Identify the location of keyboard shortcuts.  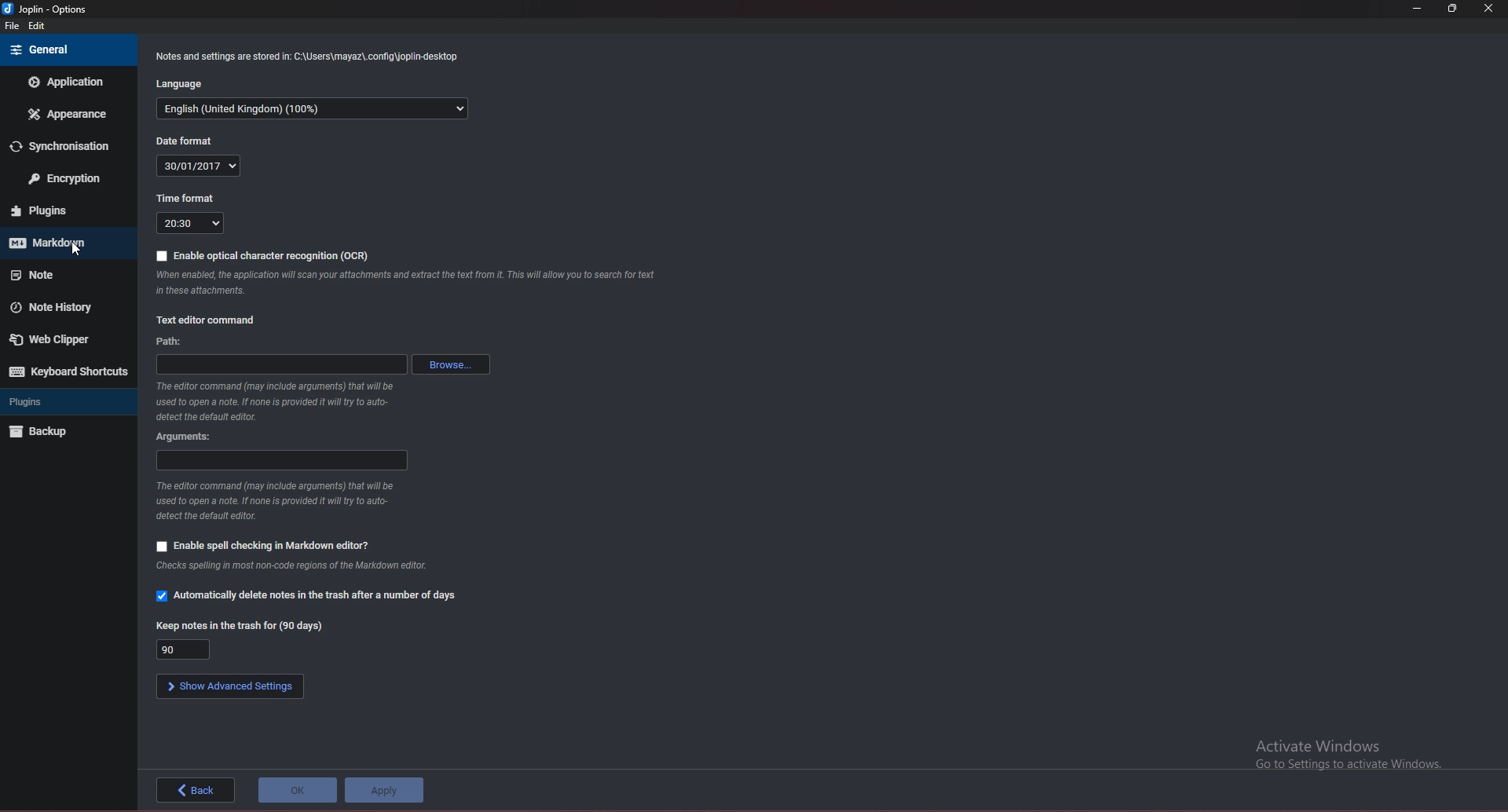
(66, 371).